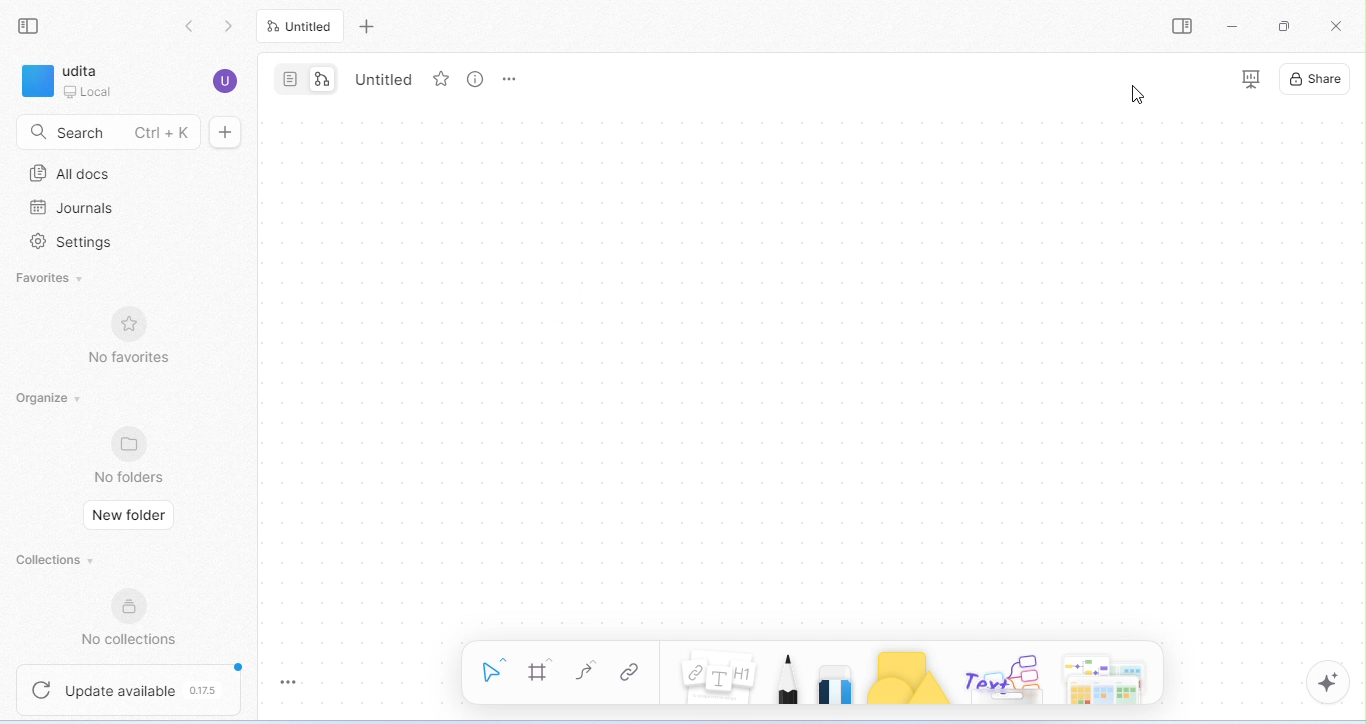 The width and height of the screenshot is (1366, 724). Describe the element at coordinates (513, 77) in the screenshot. I see `rename and more` at that location.